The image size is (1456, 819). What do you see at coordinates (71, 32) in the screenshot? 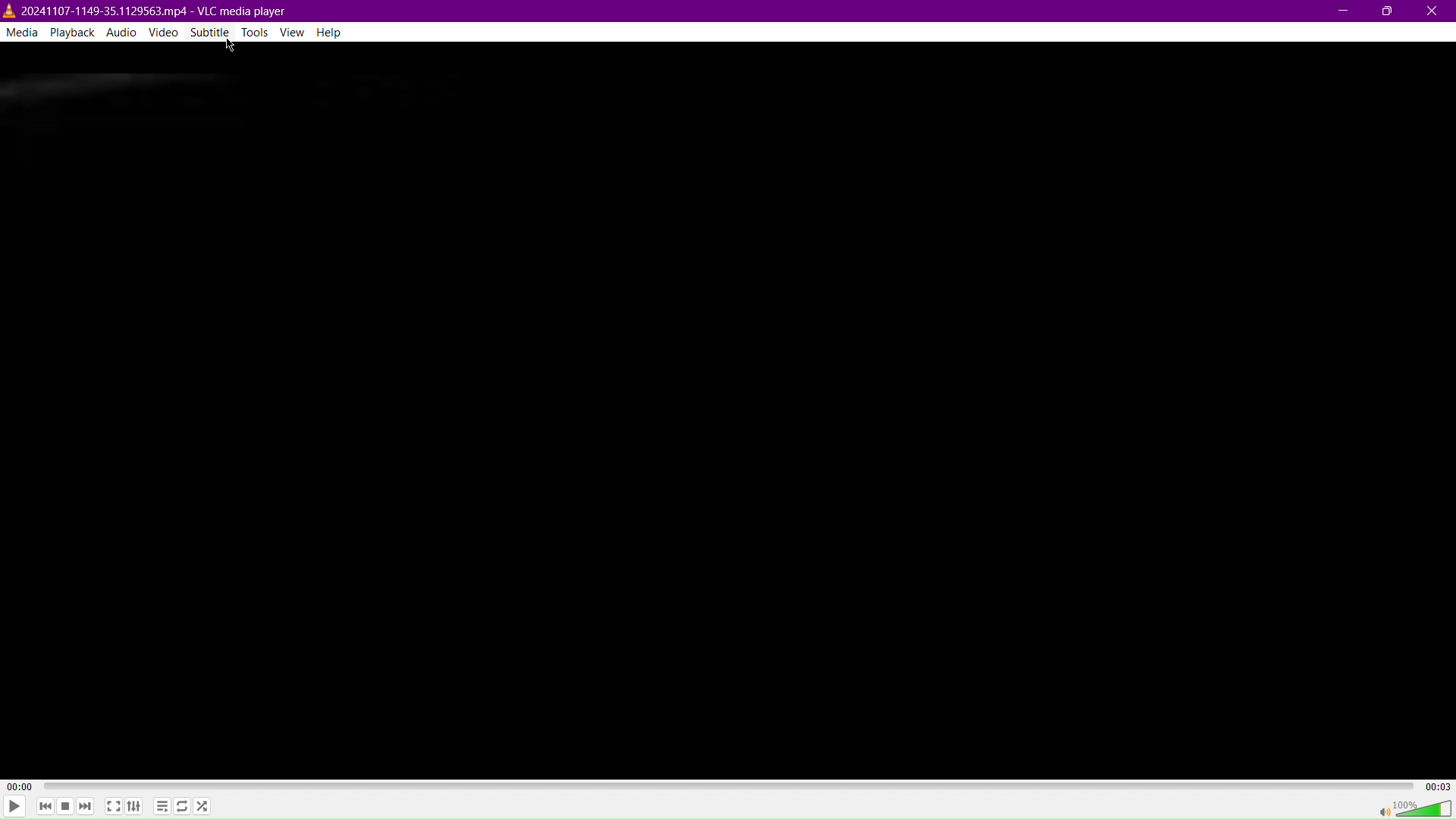
I see `Playback` at bounding box center [71, 32].